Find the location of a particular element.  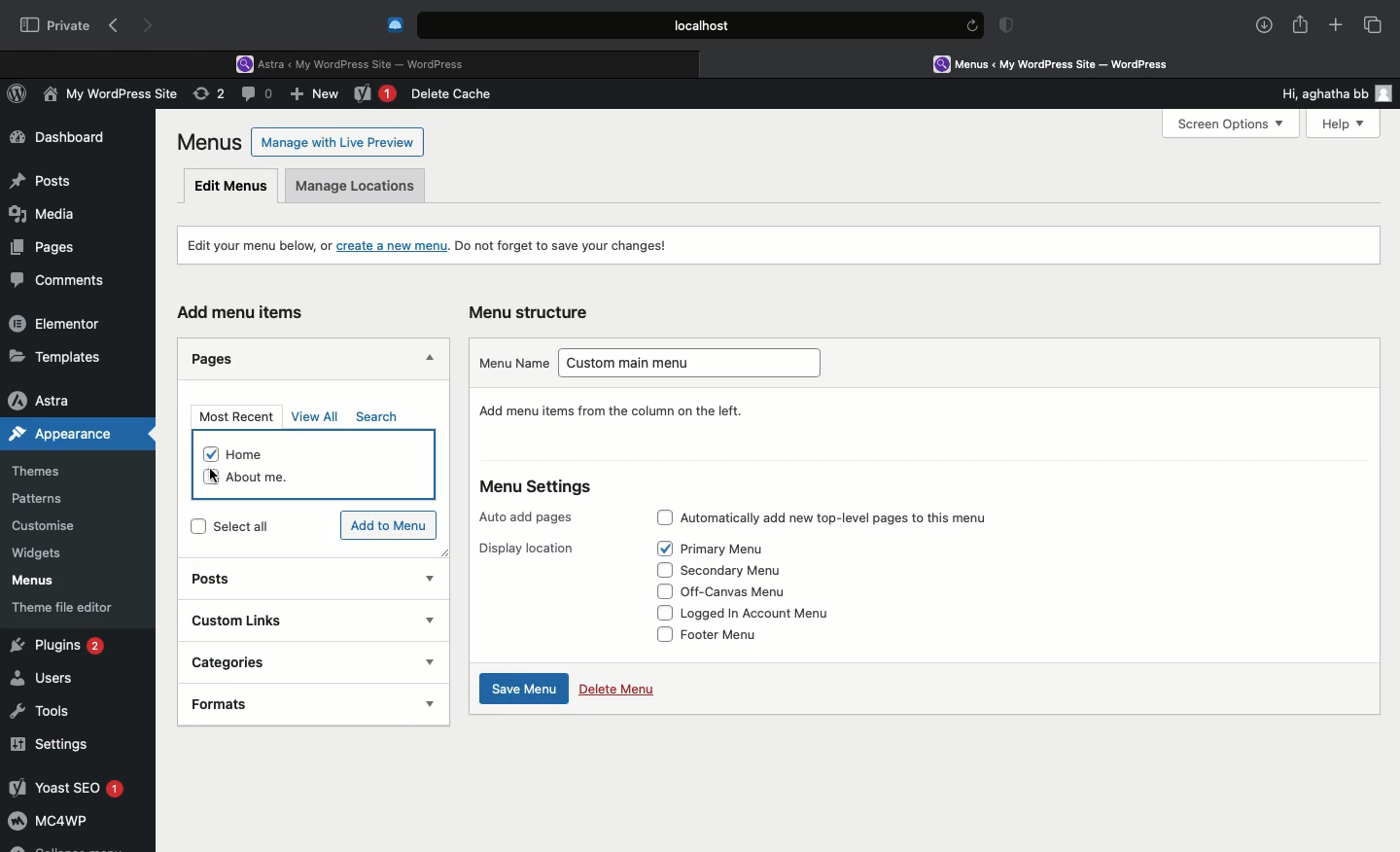

Appearance is located at coordinates (79, 434).